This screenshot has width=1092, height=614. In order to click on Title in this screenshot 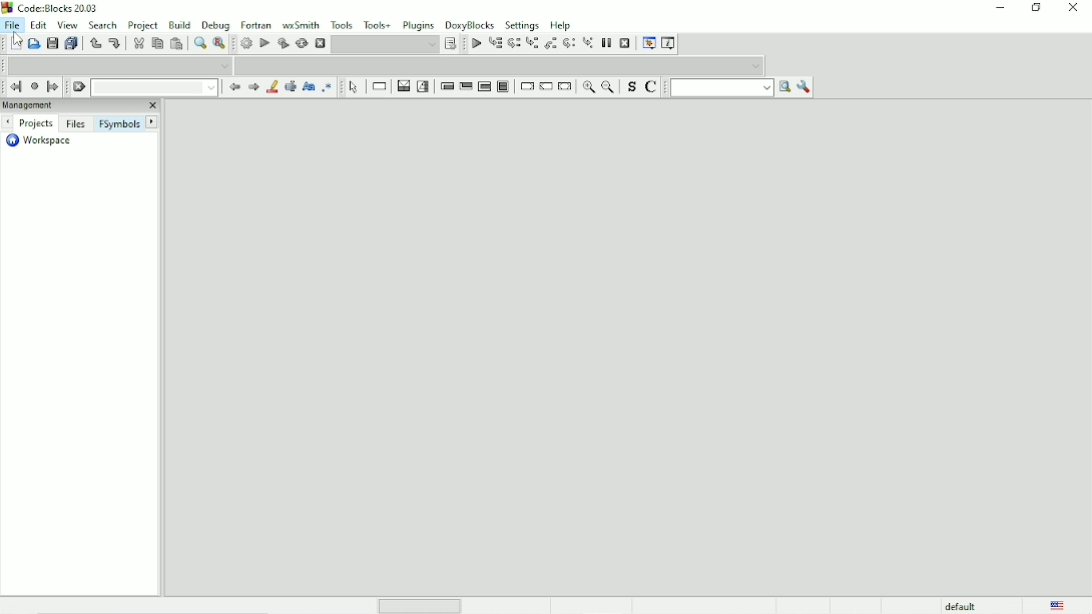, I will do `click(50, 8)`.